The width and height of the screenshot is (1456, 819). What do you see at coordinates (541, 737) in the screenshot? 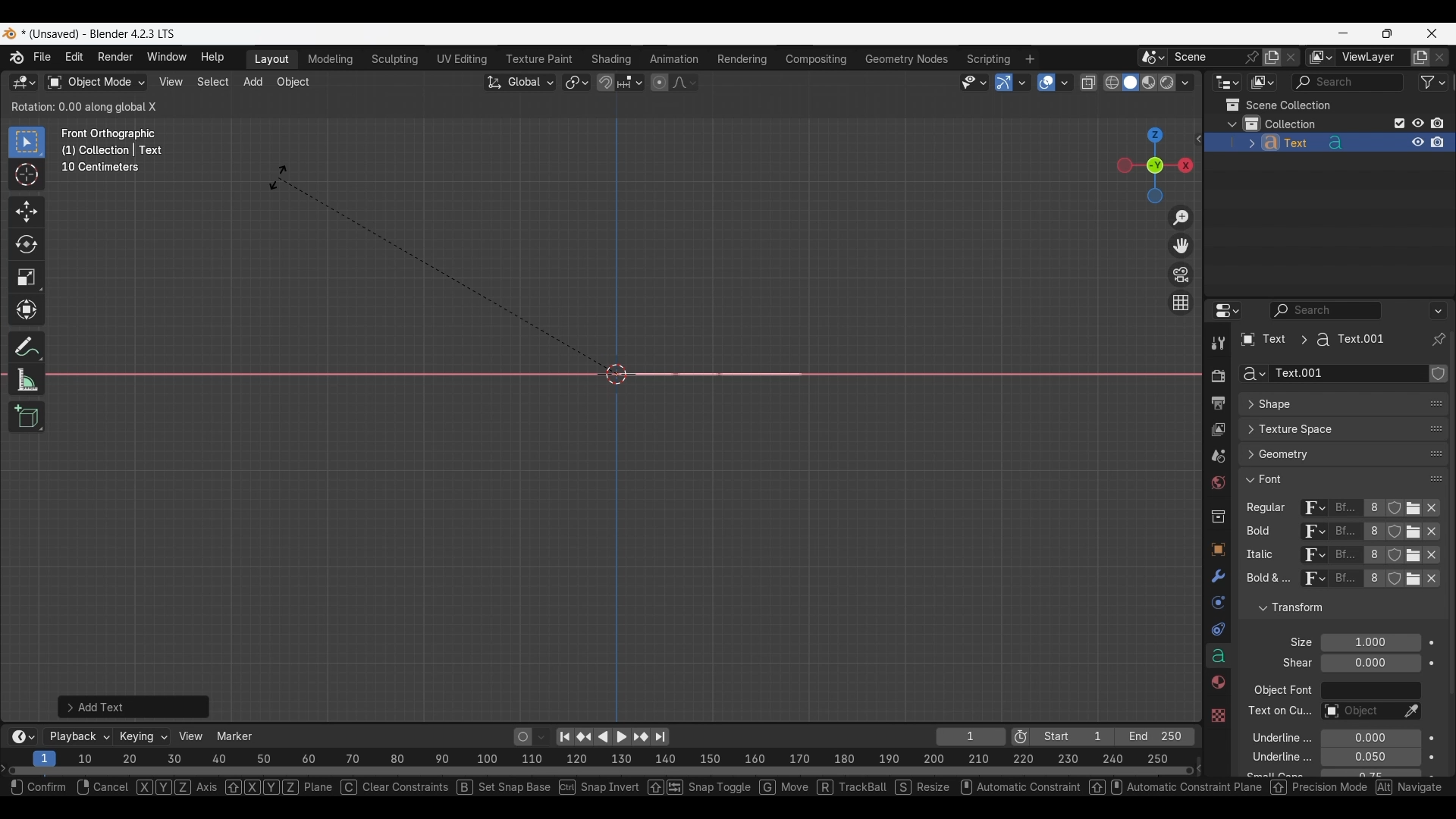
I see `Auto keyframing` at bounding box center [541, 737].